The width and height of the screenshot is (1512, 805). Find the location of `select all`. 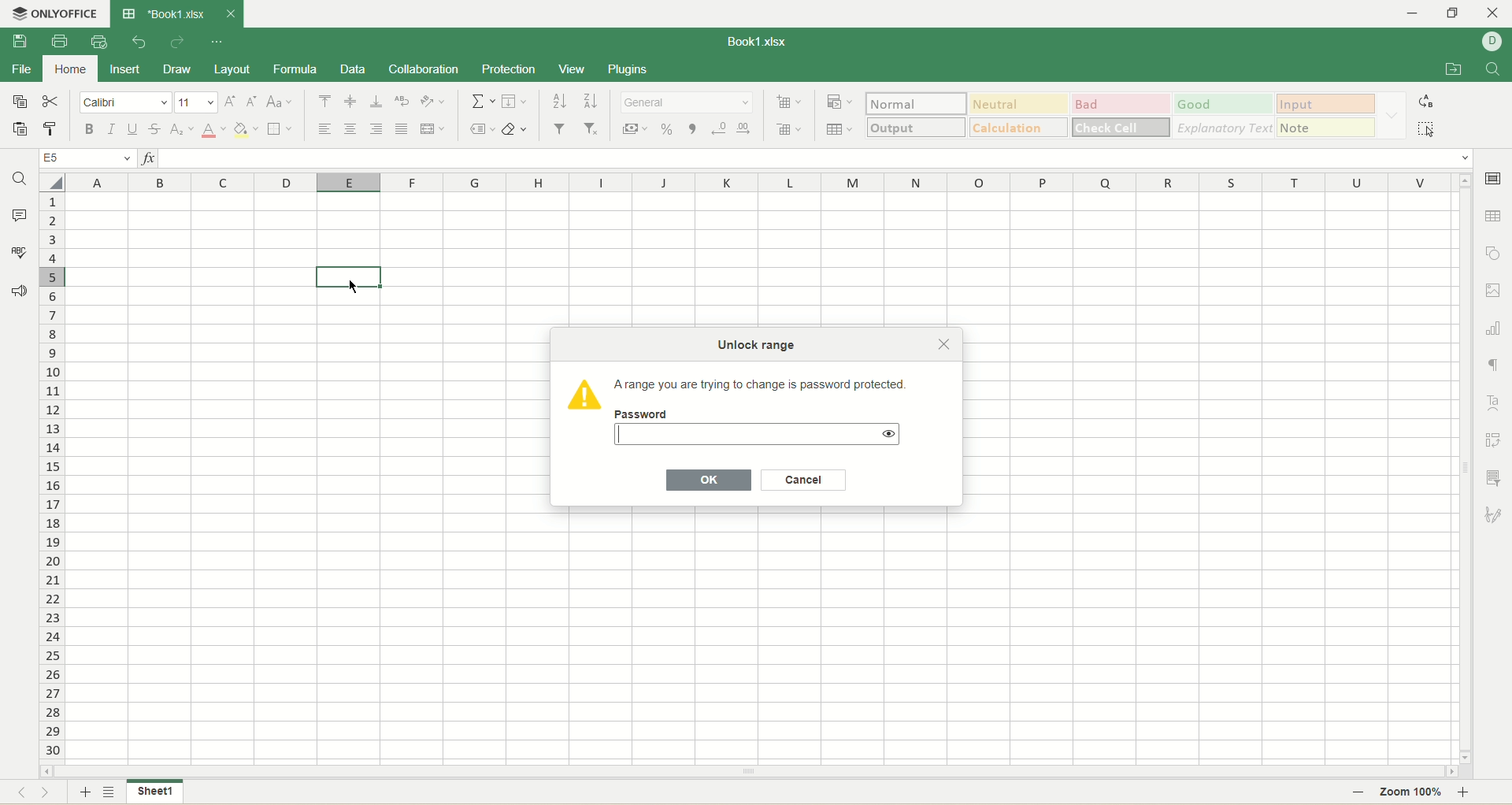

select all is located at coordinates (1431, 133).